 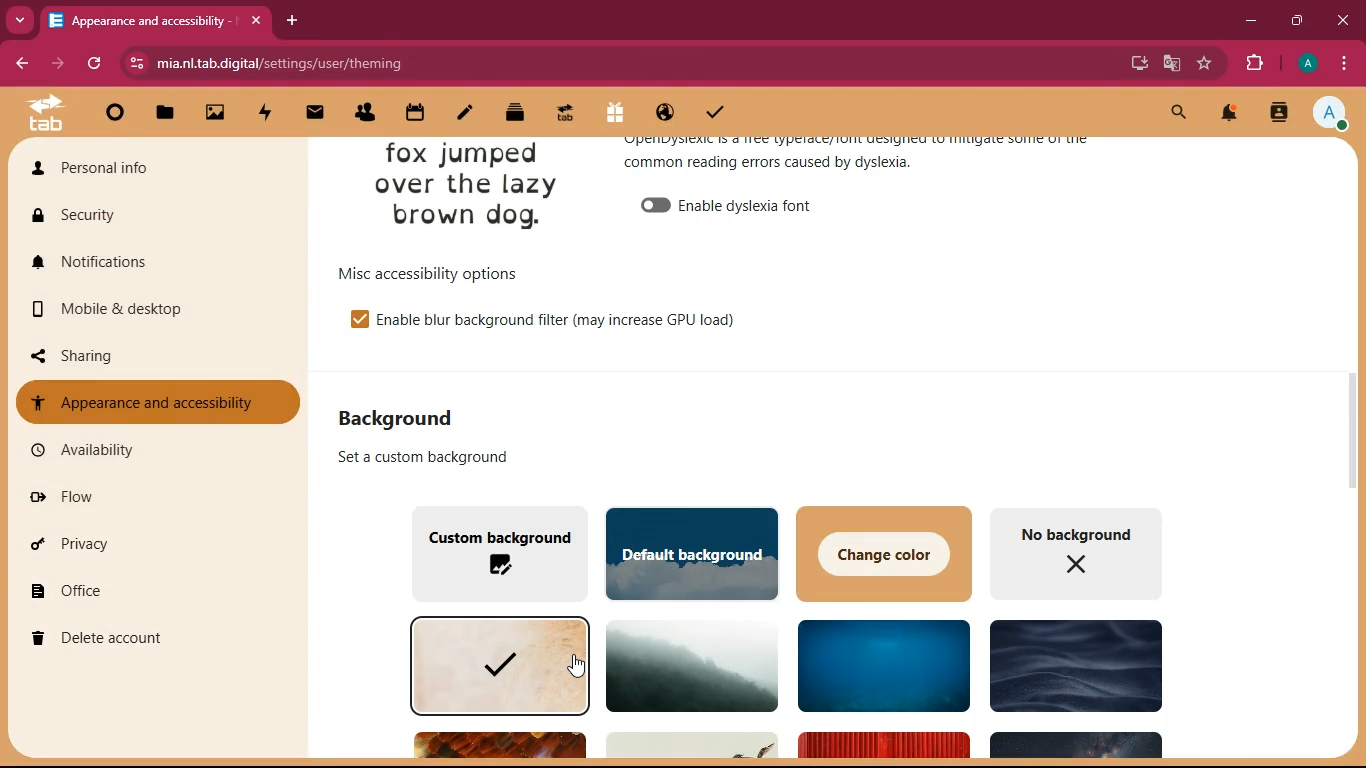 What do you see at coordinates (1170, 66) in the screenshot?
I see `google translate` at bounding box center [1170, 66].